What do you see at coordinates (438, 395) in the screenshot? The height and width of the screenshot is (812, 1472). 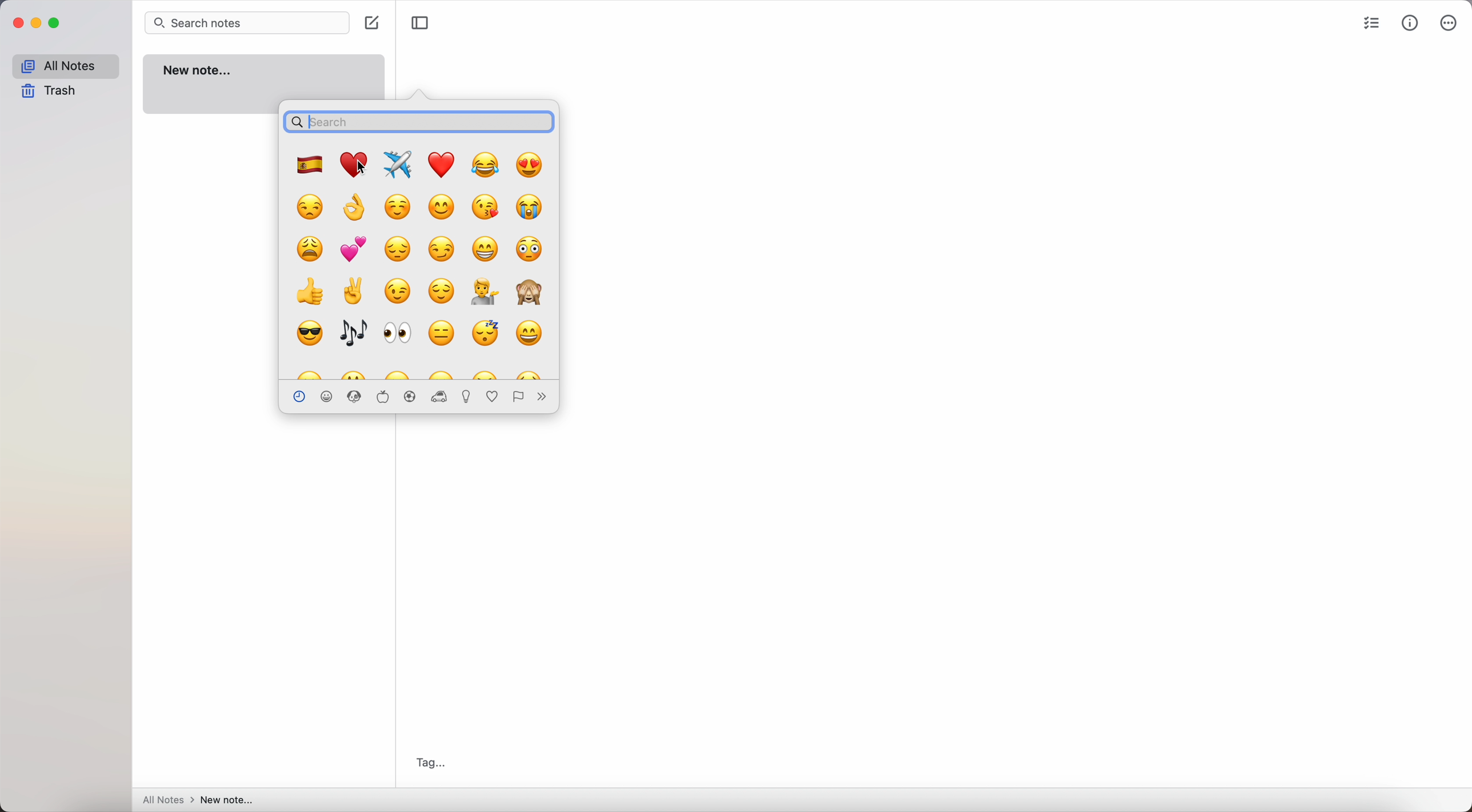 I see `emojis` at bounding box center [438, 395].